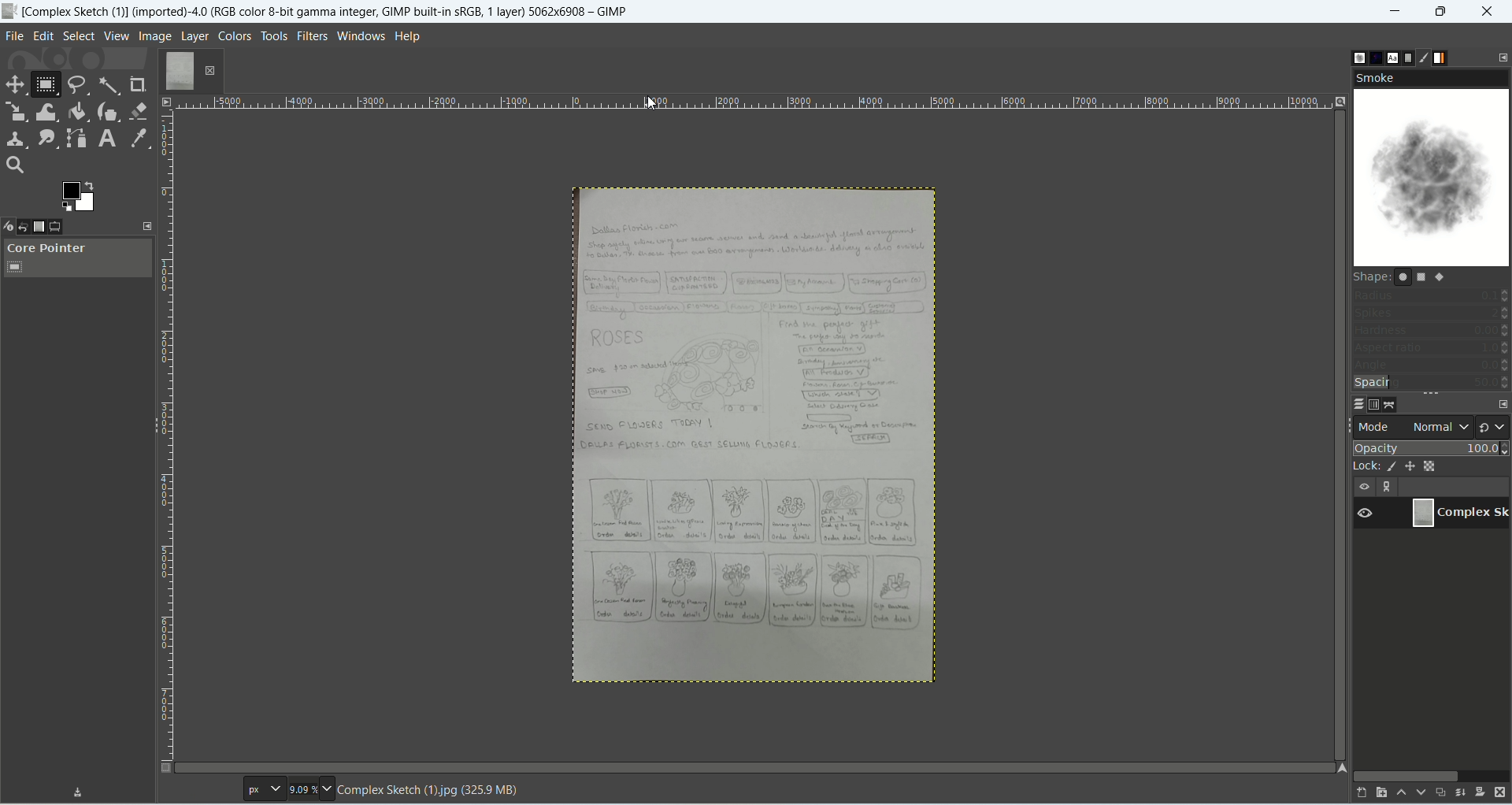 This screenshot has height=805, width=1512. What do you see at coordinates (1407, 58) in the screenshot?
I see `document history` at bounding box center [1407, 58].